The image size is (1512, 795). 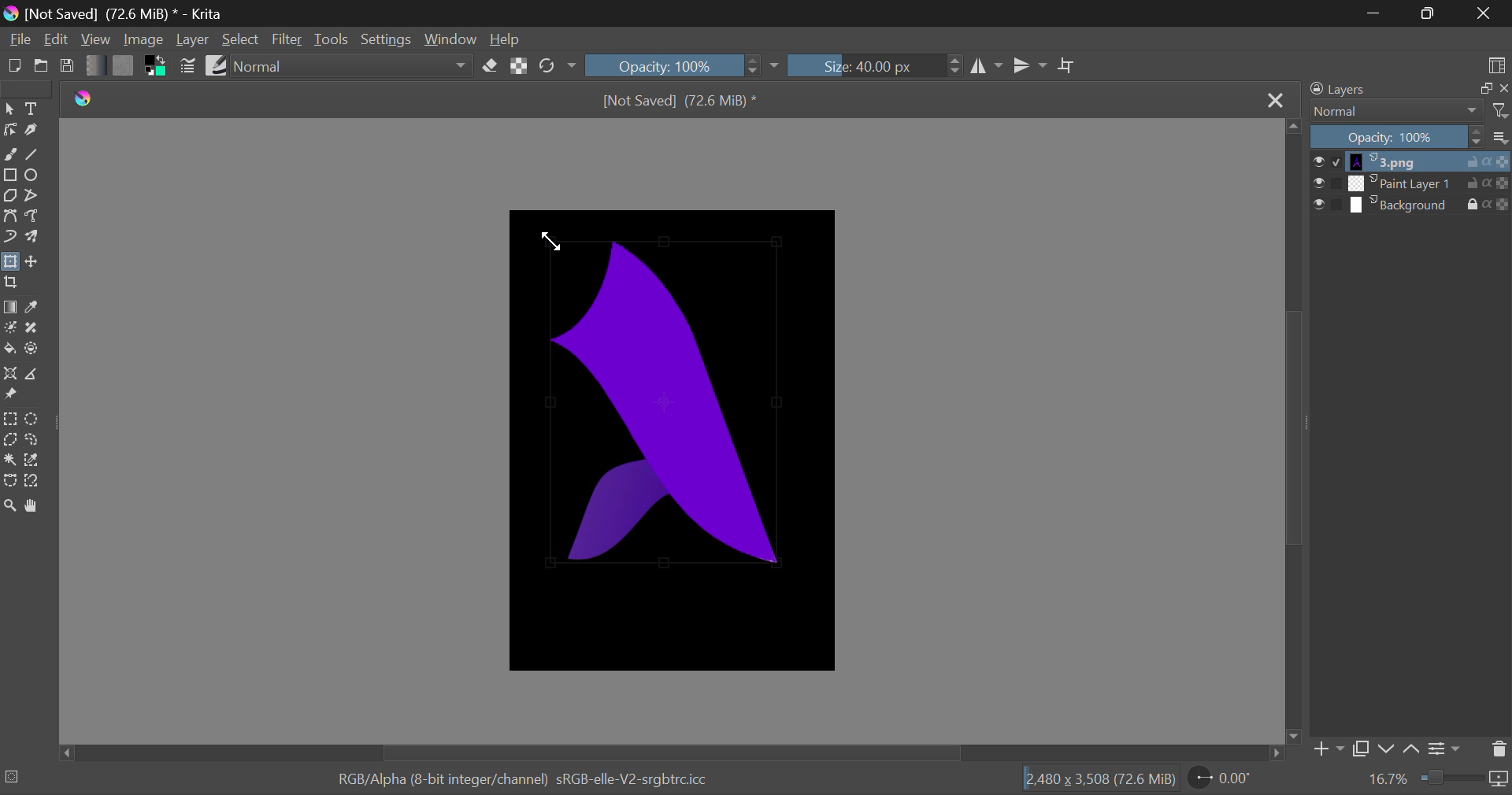 What do you see at coordinates (558, 66) in the screenshot?
I see `Rotate Image` at bounding box center [558, 66].